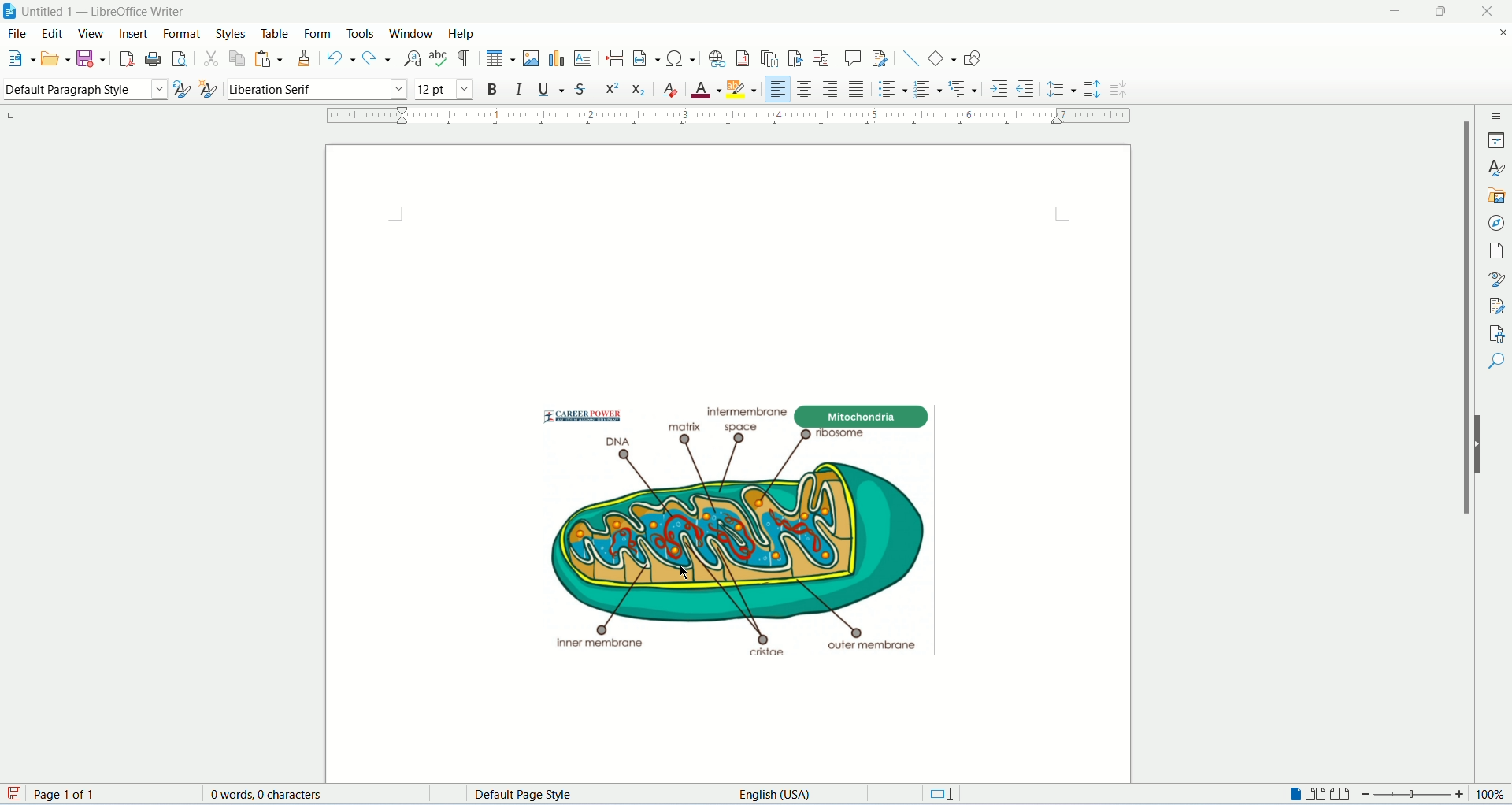 The width and height of the screenshot is (1512, 805). What do you see at coordinates (641, 90) in the screenshot?
I see `subscript` at bounding box center [641, 90].